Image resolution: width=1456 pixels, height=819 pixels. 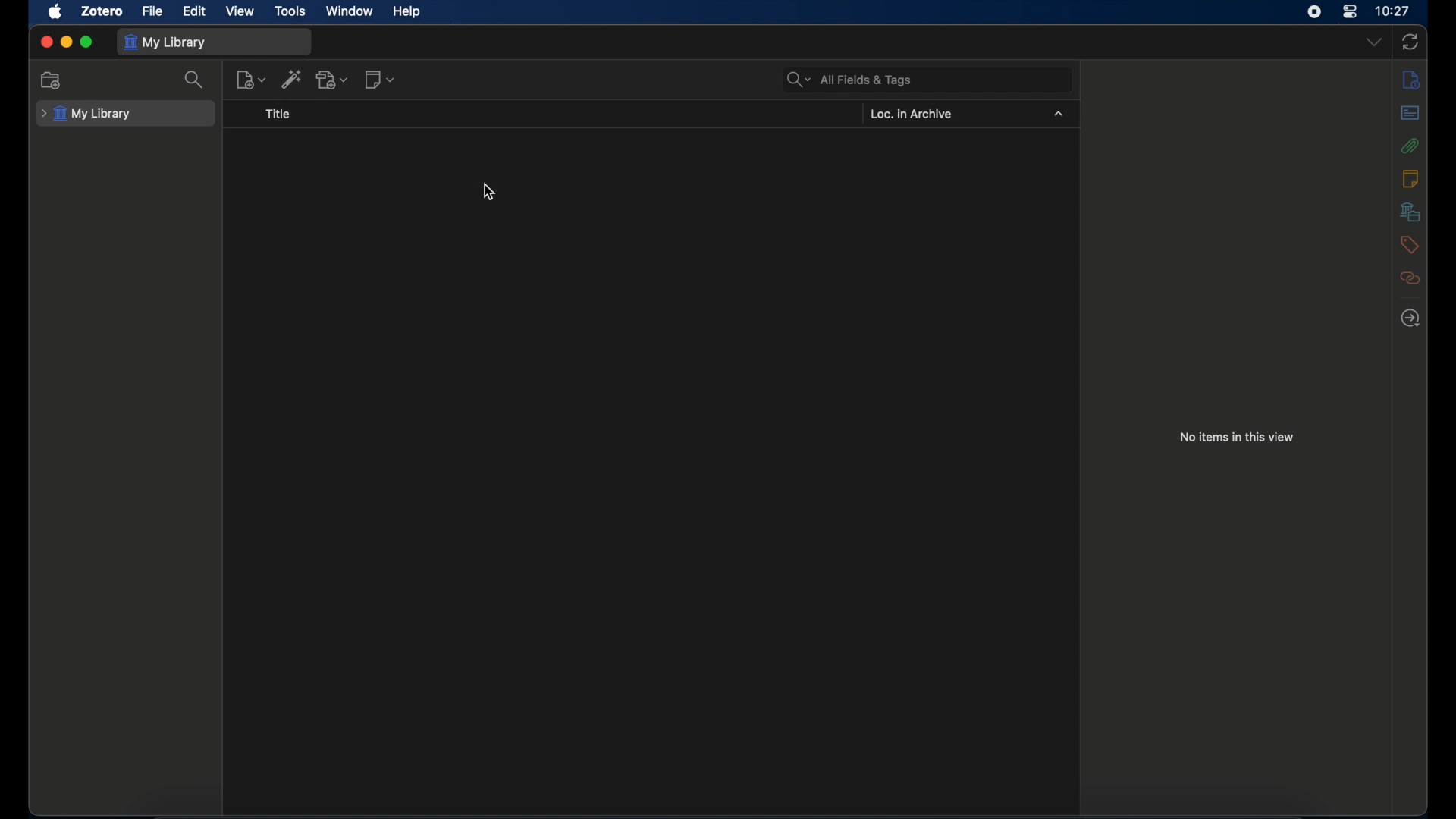 What do you see at coordinates (165, 43) in the screenshot?
I see `my library` at bounding box center [165, 43].